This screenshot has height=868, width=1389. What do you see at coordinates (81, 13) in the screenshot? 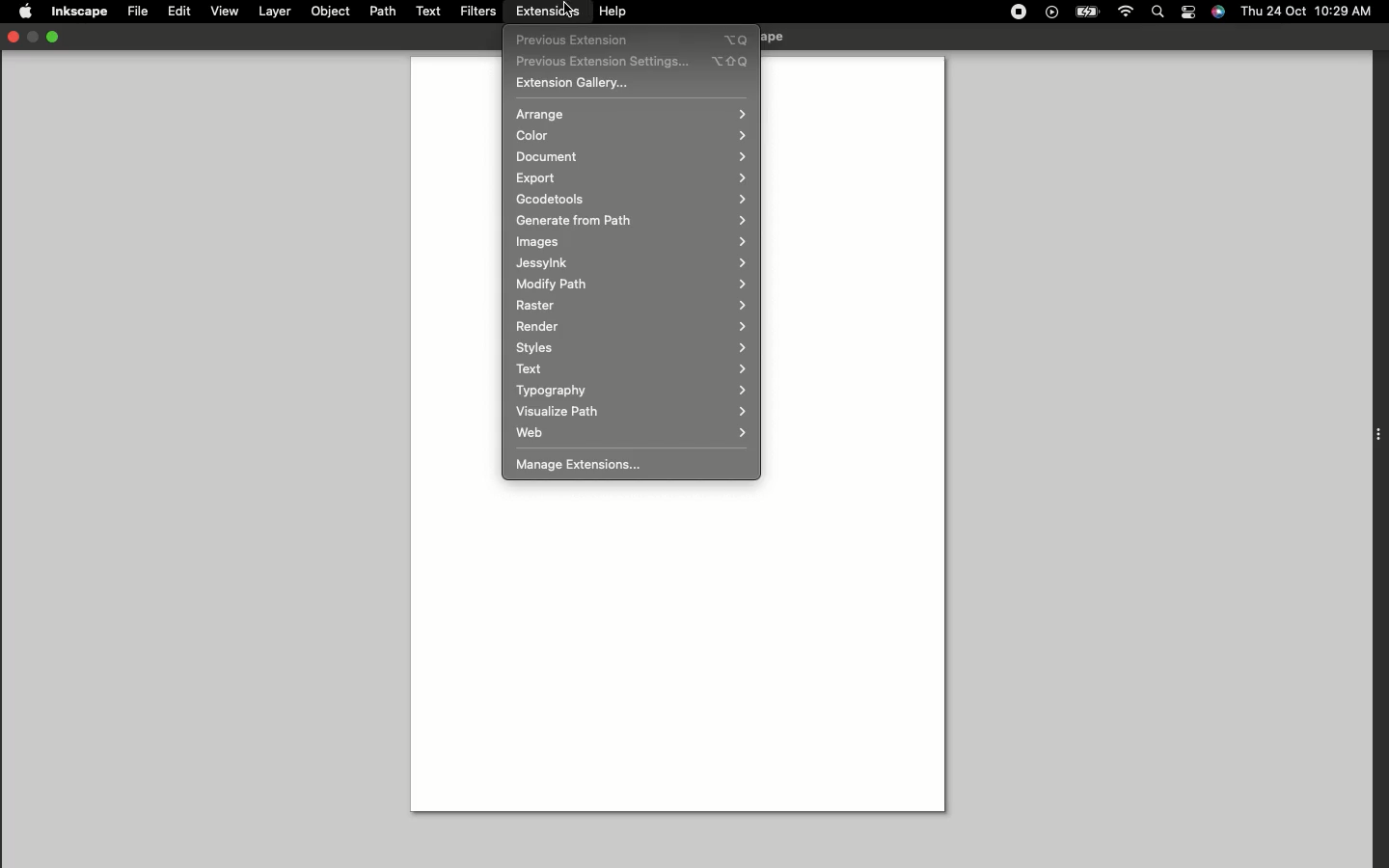
I see `Inkscape` at bounding box center [81, 13].